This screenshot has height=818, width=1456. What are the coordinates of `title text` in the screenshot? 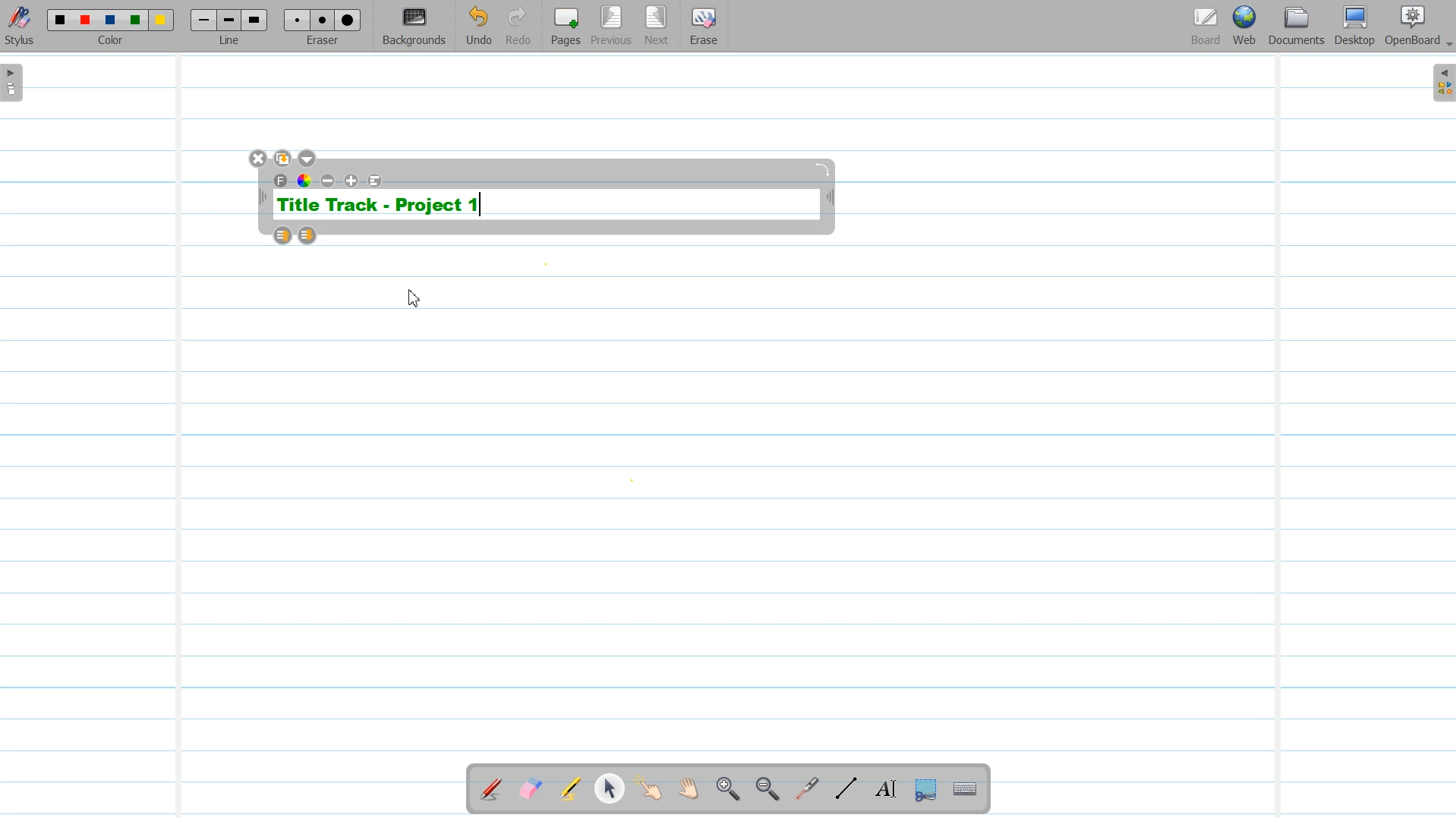 It's located at (379, 205).